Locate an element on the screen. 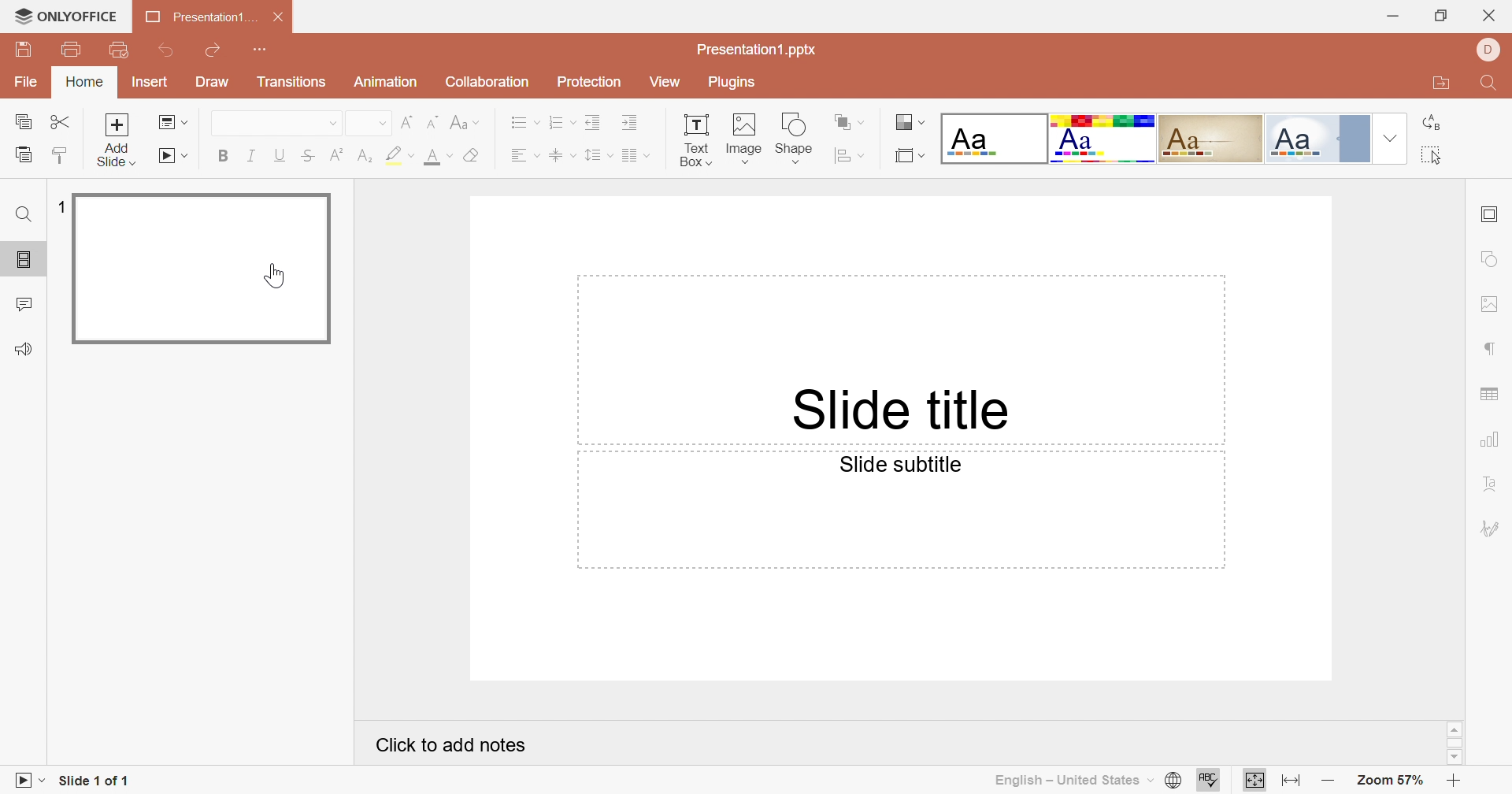 The image size is (1512, 794). Chart settings is located at coordinates (1492, 442).